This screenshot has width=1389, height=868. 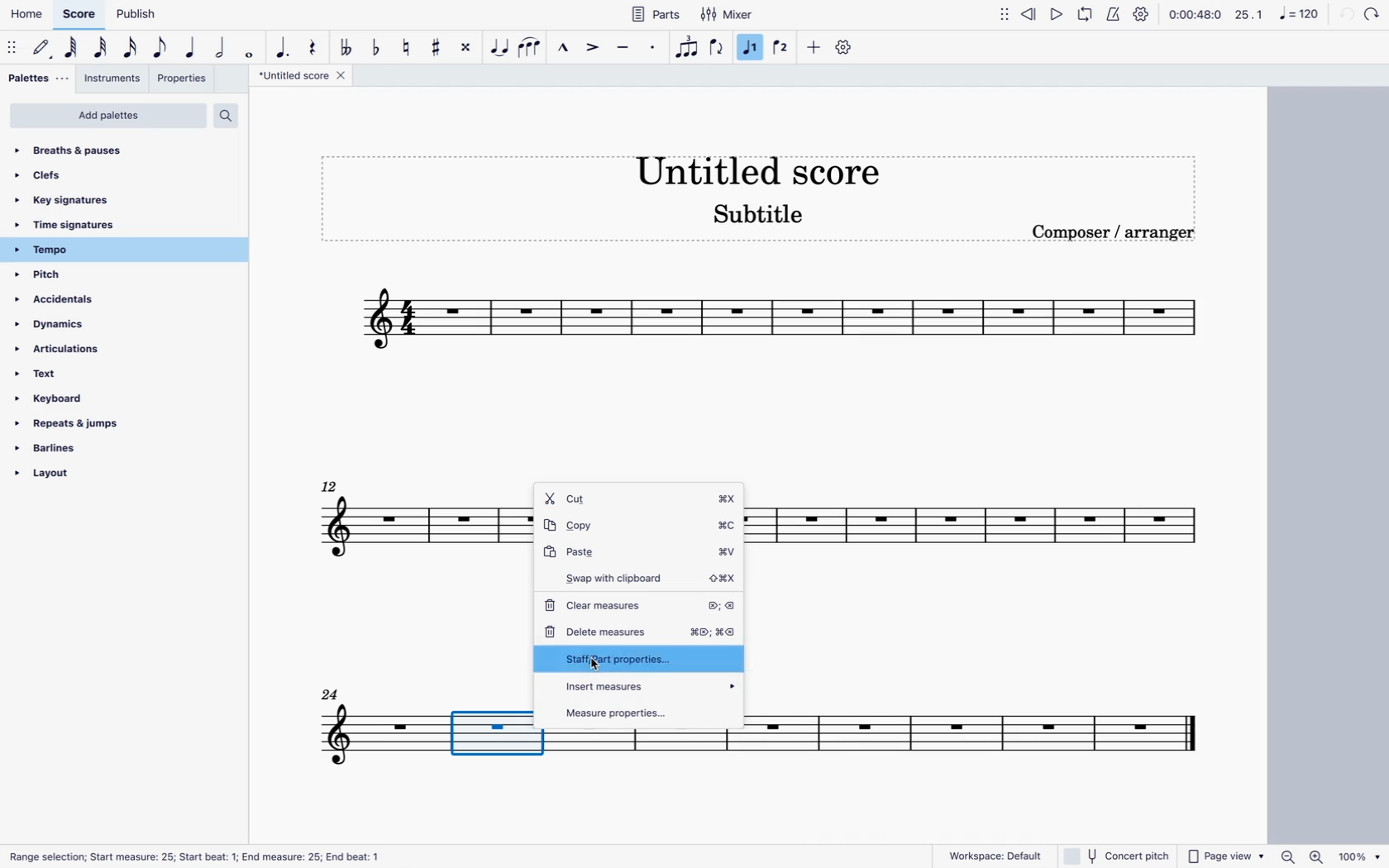 I want to click on articulations, so click(x=69, y=347).